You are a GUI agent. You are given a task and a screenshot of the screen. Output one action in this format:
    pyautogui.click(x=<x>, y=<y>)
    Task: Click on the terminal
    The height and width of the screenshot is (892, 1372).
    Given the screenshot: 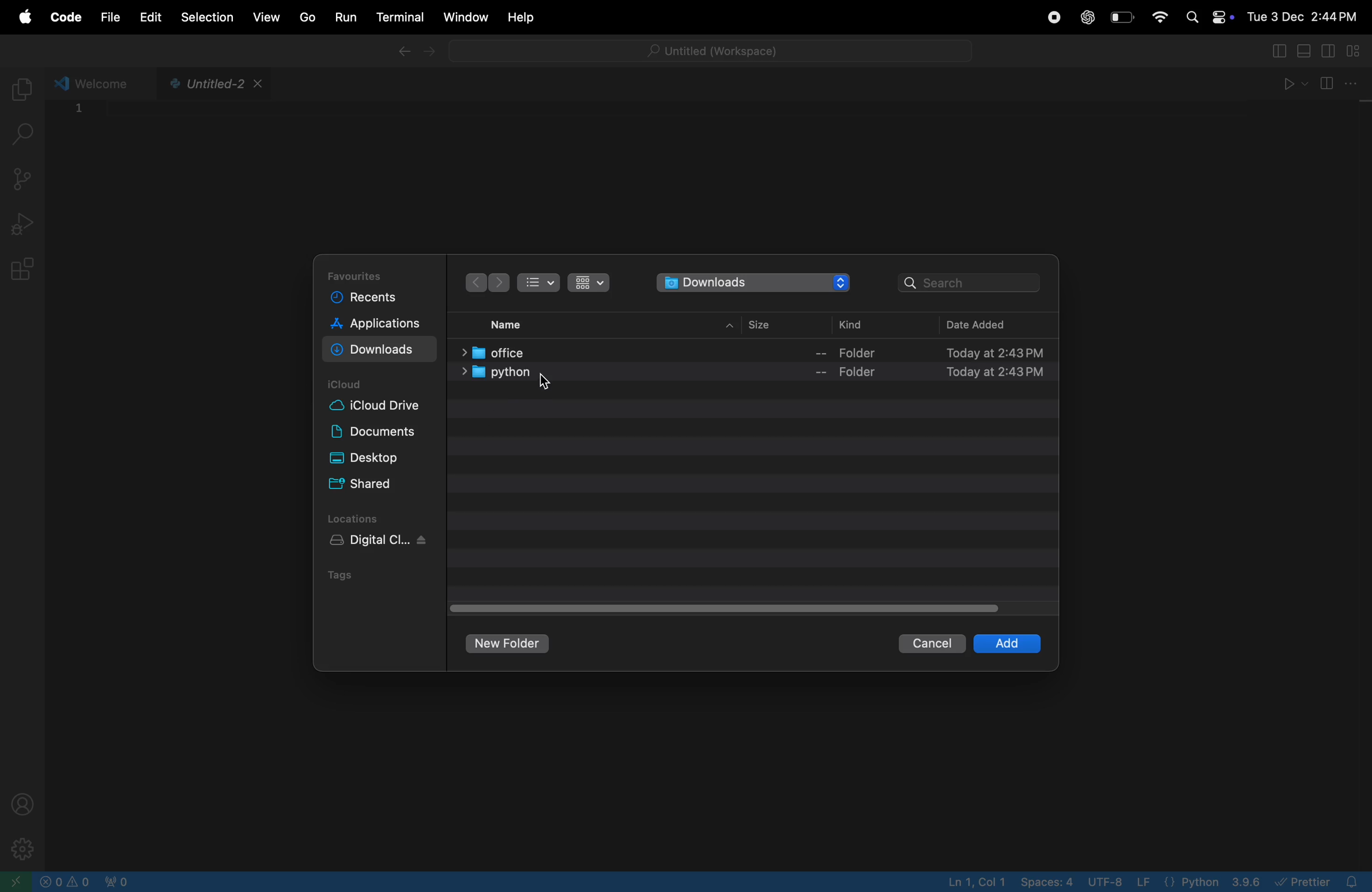 What is the action you would take?
    pyautogui.click(x=397, y=16)
    